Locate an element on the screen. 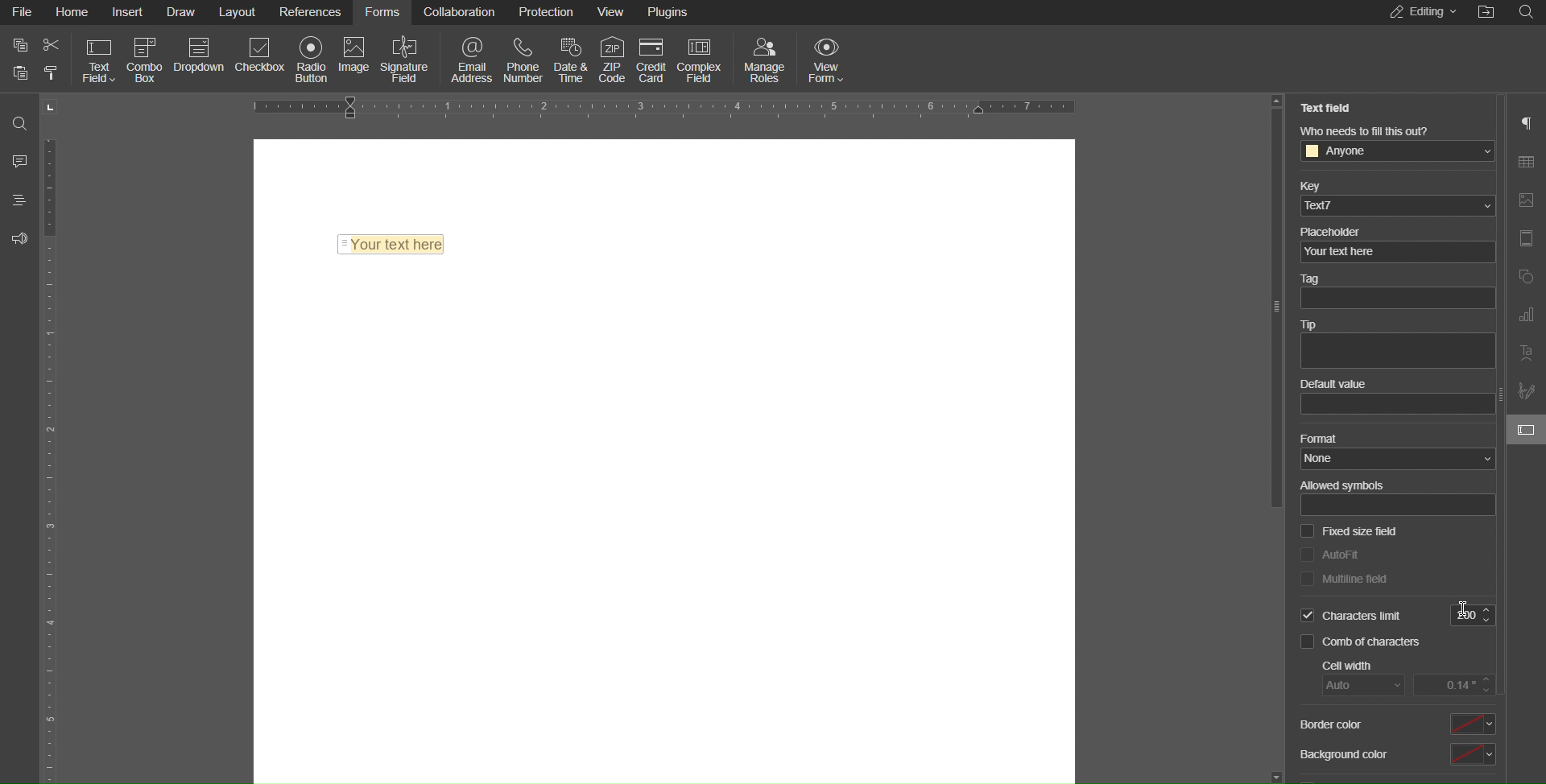  Header/Footer Settings is located at coordinates (1525, 239).